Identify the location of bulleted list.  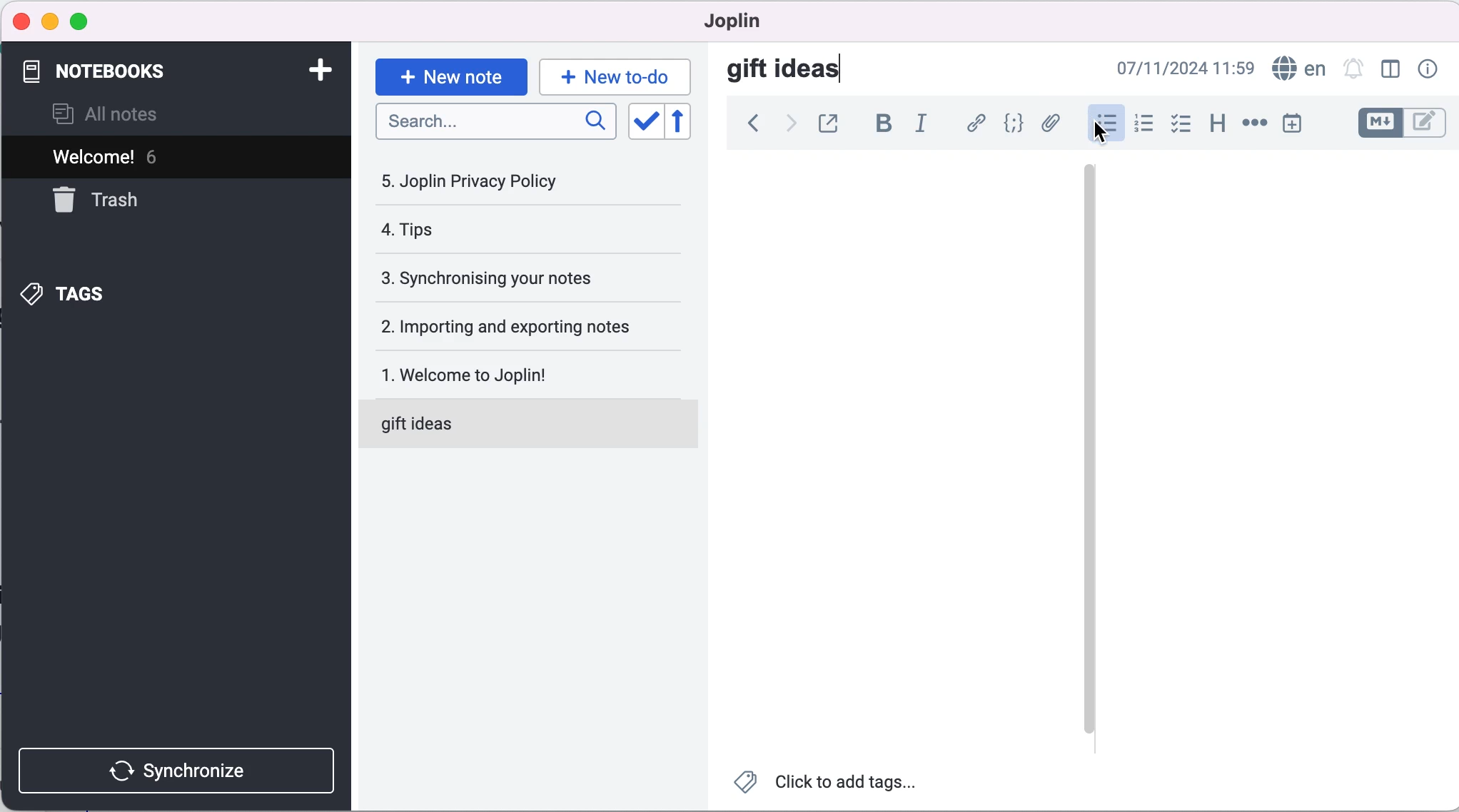
(1104, 122).